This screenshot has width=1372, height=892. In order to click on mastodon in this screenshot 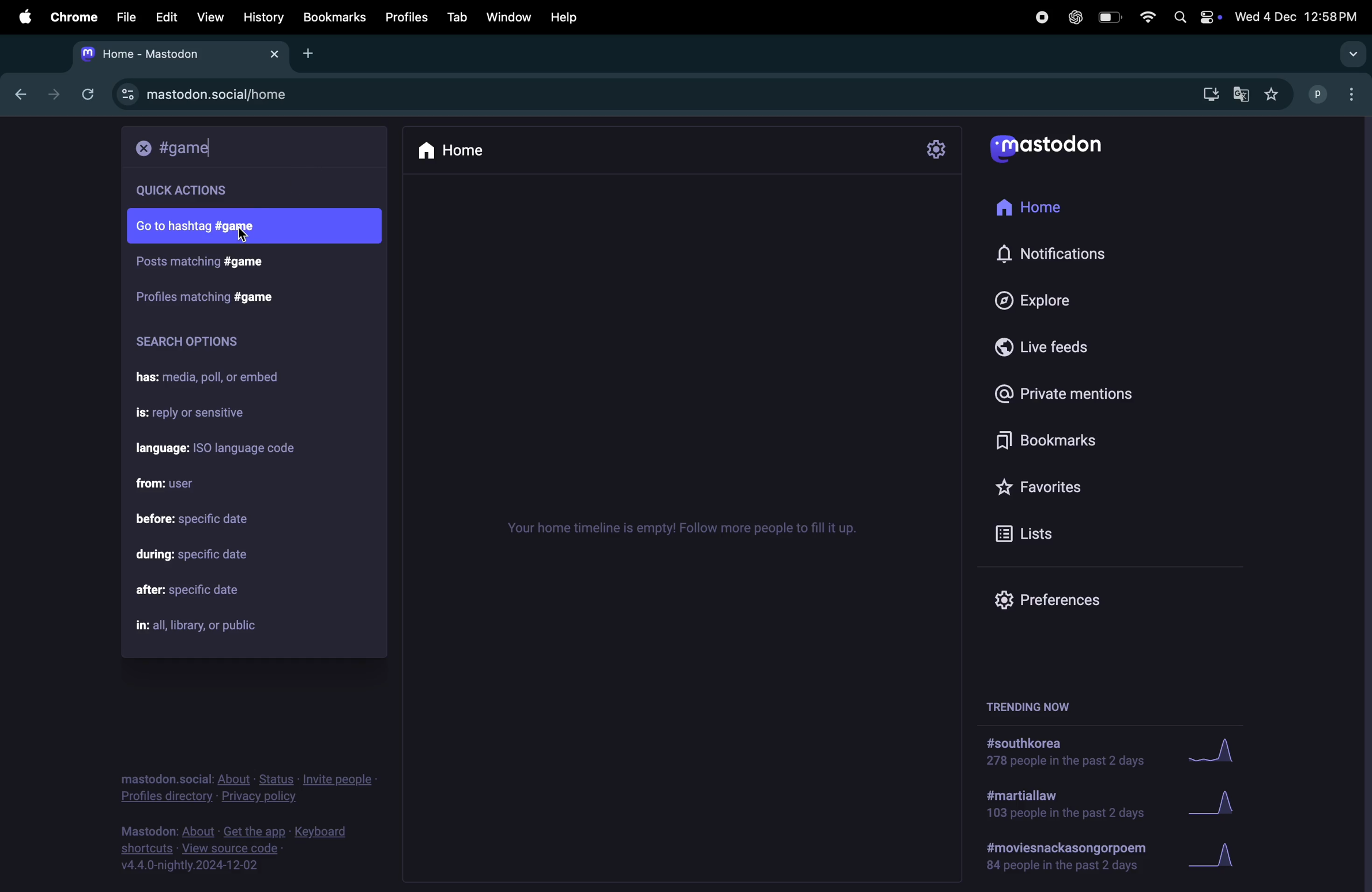, I will do `click(1048, 148)`.